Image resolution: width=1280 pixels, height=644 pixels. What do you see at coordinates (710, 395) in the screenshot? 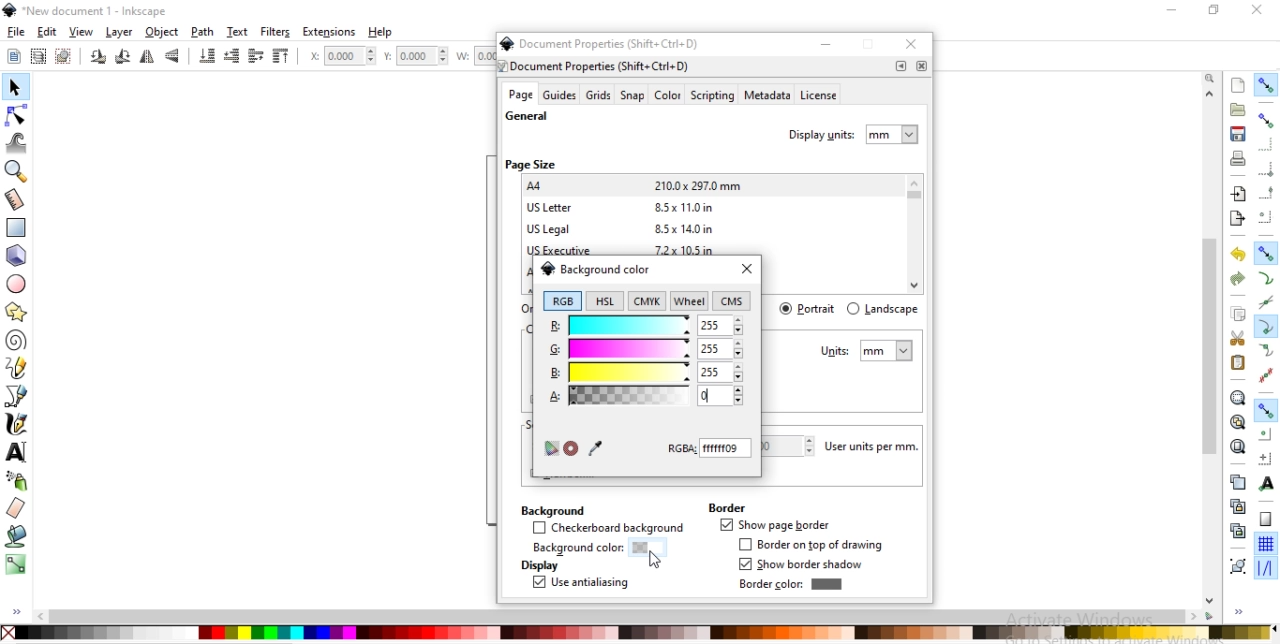
I see `0` at bounding box center [710, 395].